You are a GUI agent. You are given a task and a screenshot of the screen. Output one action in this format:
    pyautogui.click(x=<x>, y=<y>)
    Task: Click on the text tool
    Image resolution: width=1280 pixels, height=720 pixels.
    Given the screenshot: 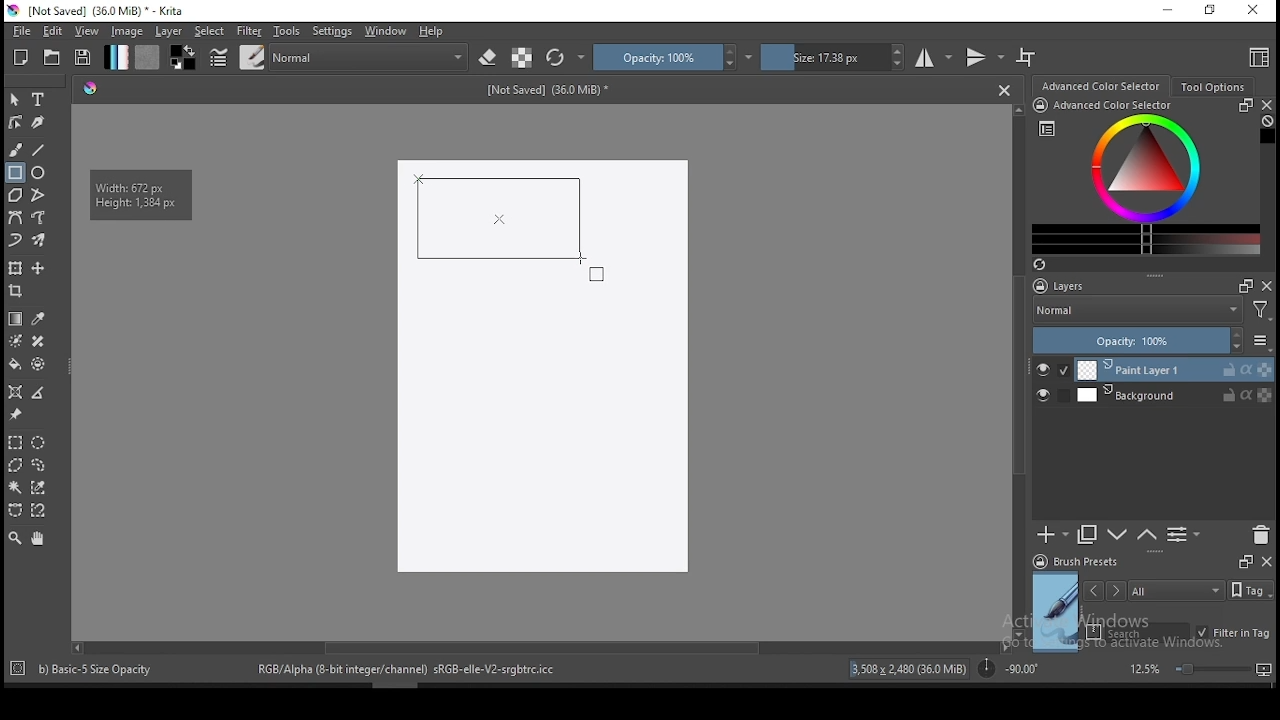 What is the action you would take?
    pyautogui.click(x=39, y=100)
    